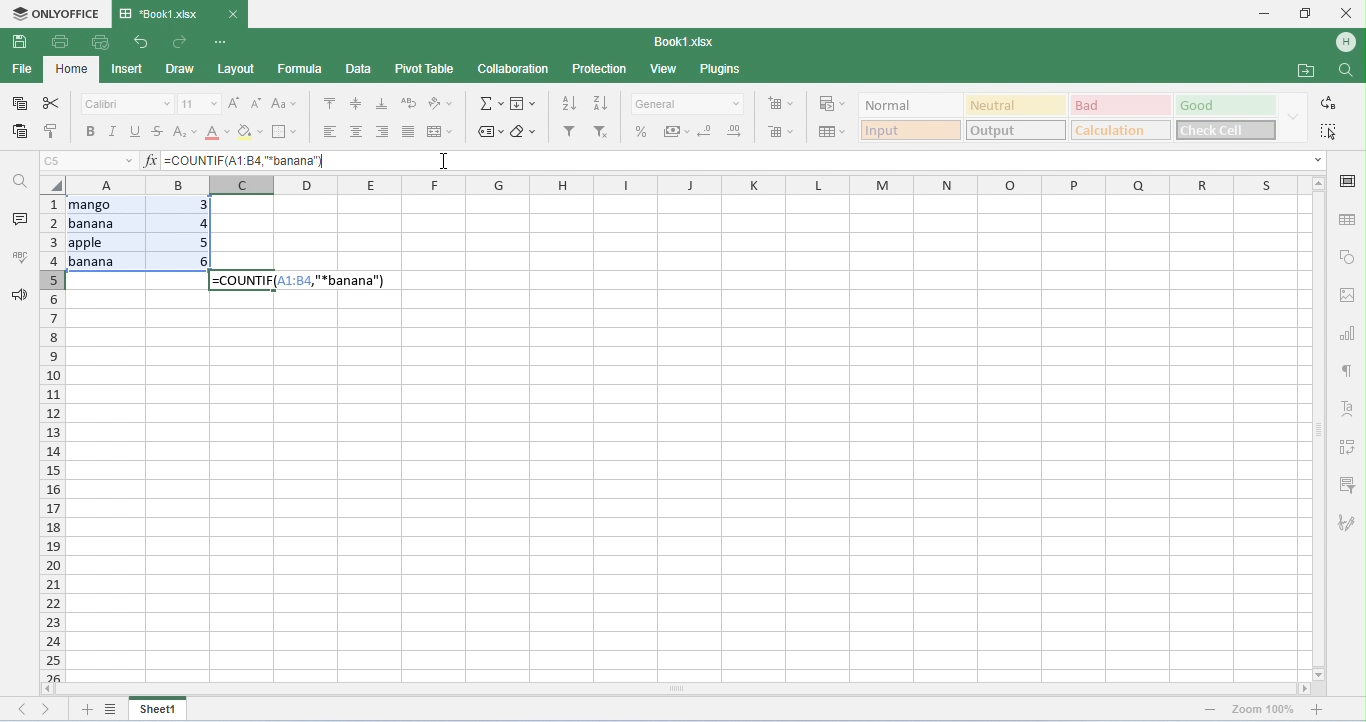 The image size is (1366, 722). Describe the element at coordinates (287, 131) in the screenshot. I see `border` at that location.